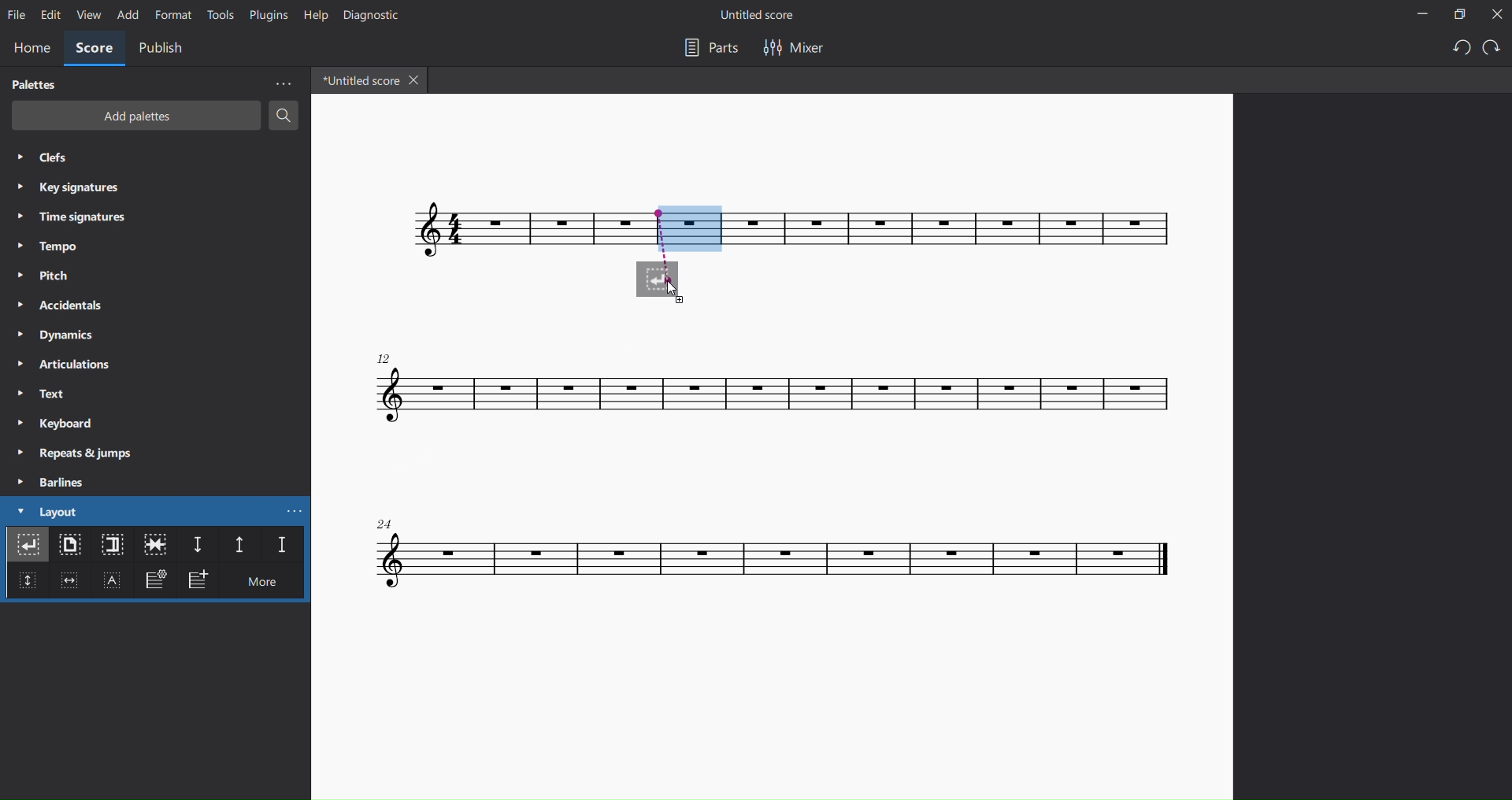 This screenshot has height=800, width=1512. I want to click on staff spacer down, so click(197, 546).